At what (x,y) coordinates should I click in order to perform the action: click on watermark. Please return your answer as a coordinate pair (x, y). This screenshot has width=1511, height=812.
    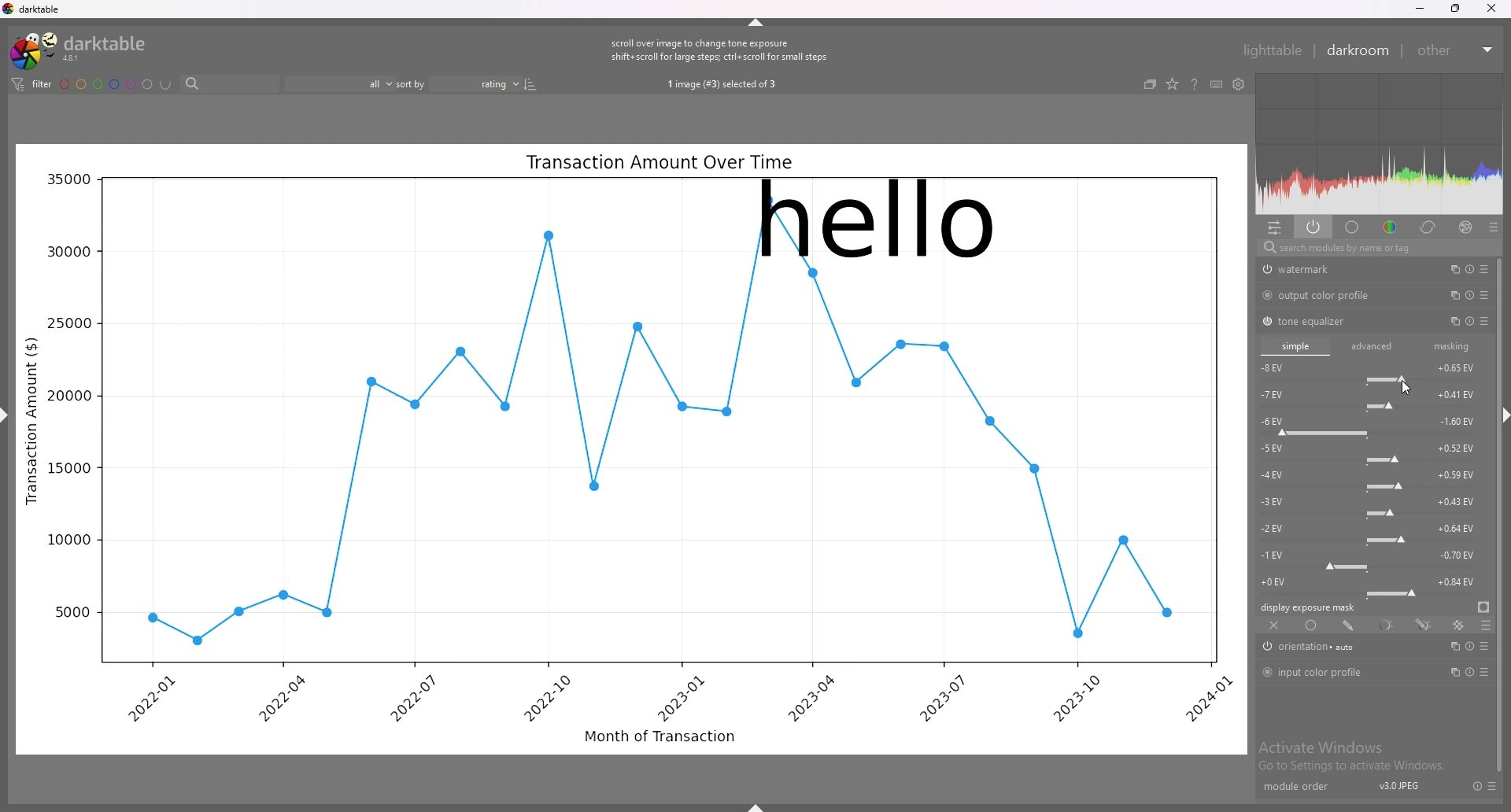
    Looking at the image, I should click on (1317, 270).